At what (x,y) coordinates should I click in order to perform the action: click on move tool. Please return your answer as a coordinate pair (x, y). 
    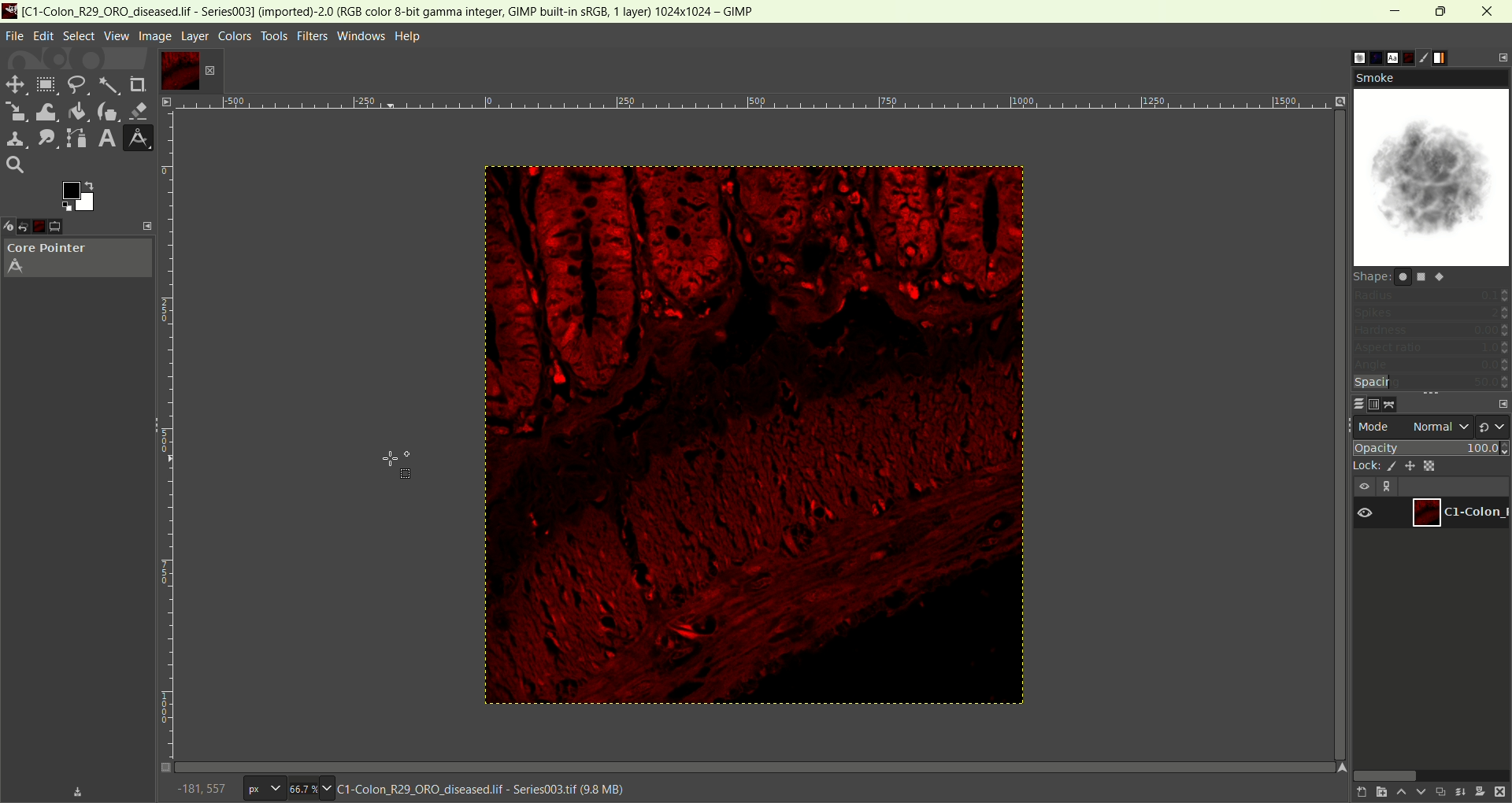
    Looking at the image, I should click on (13, 83).